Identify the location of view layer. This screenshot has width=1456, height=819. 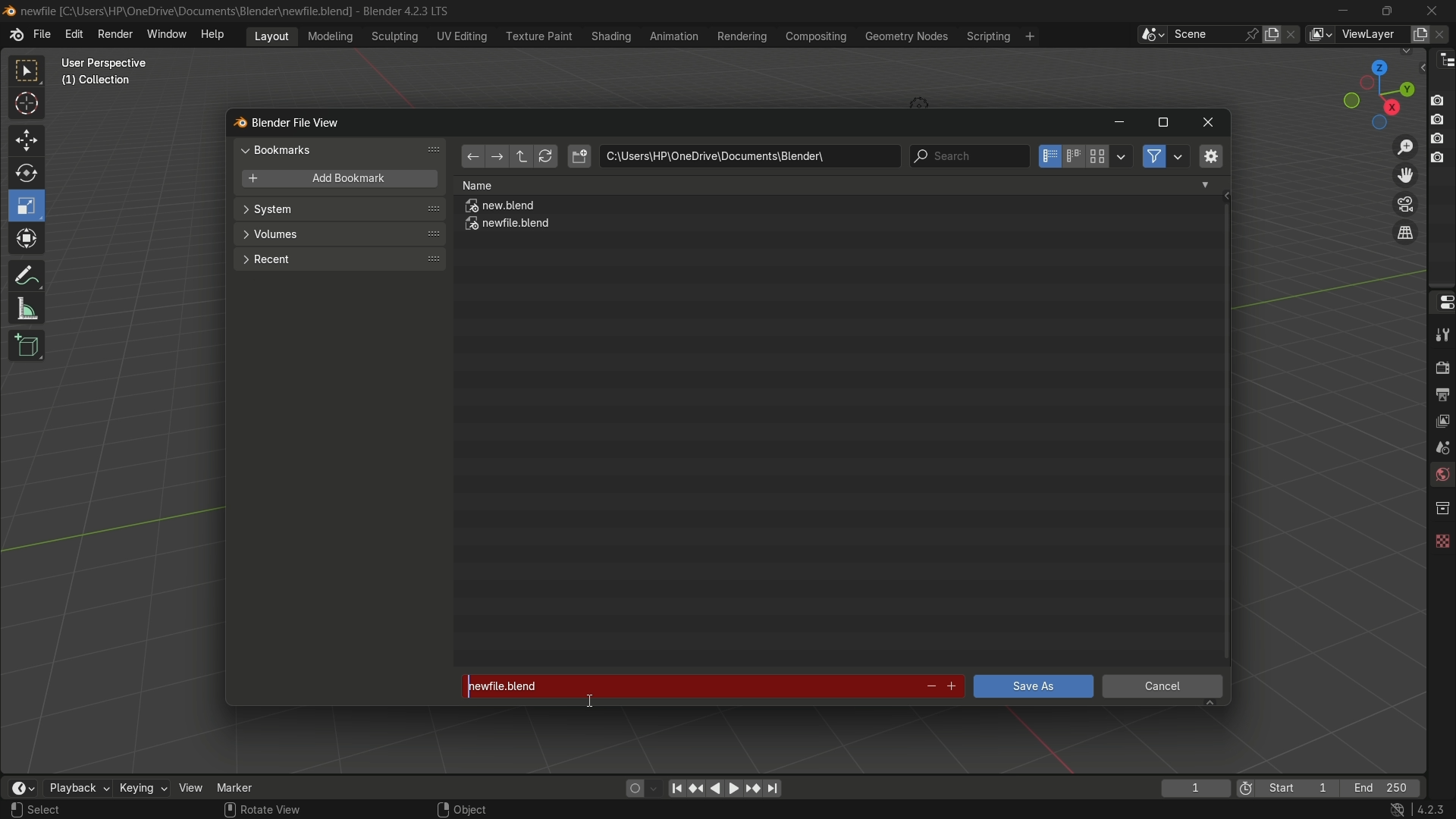
(1319, 34).